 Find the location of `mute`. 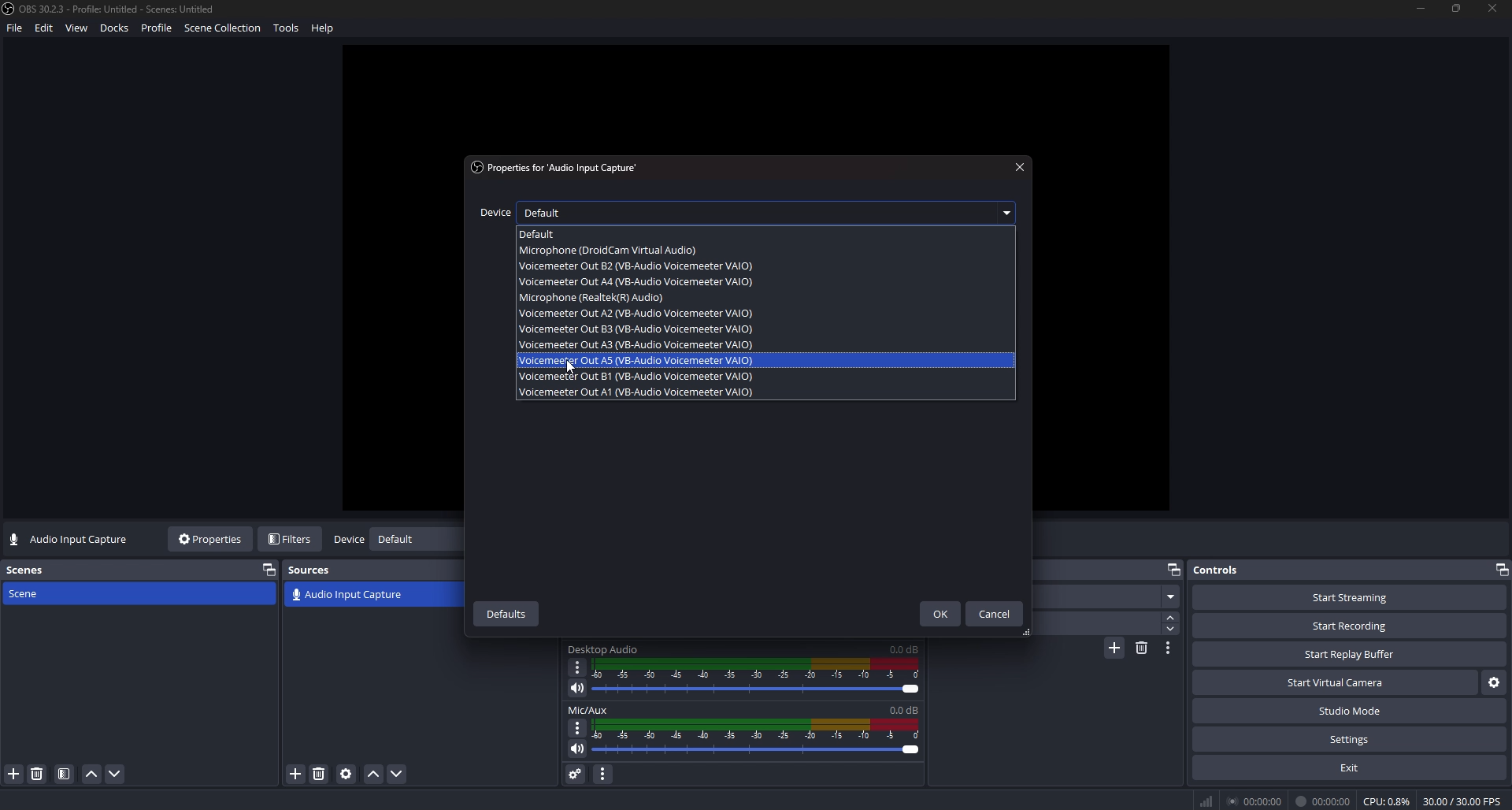

mute is located at coordinates (577, 688).